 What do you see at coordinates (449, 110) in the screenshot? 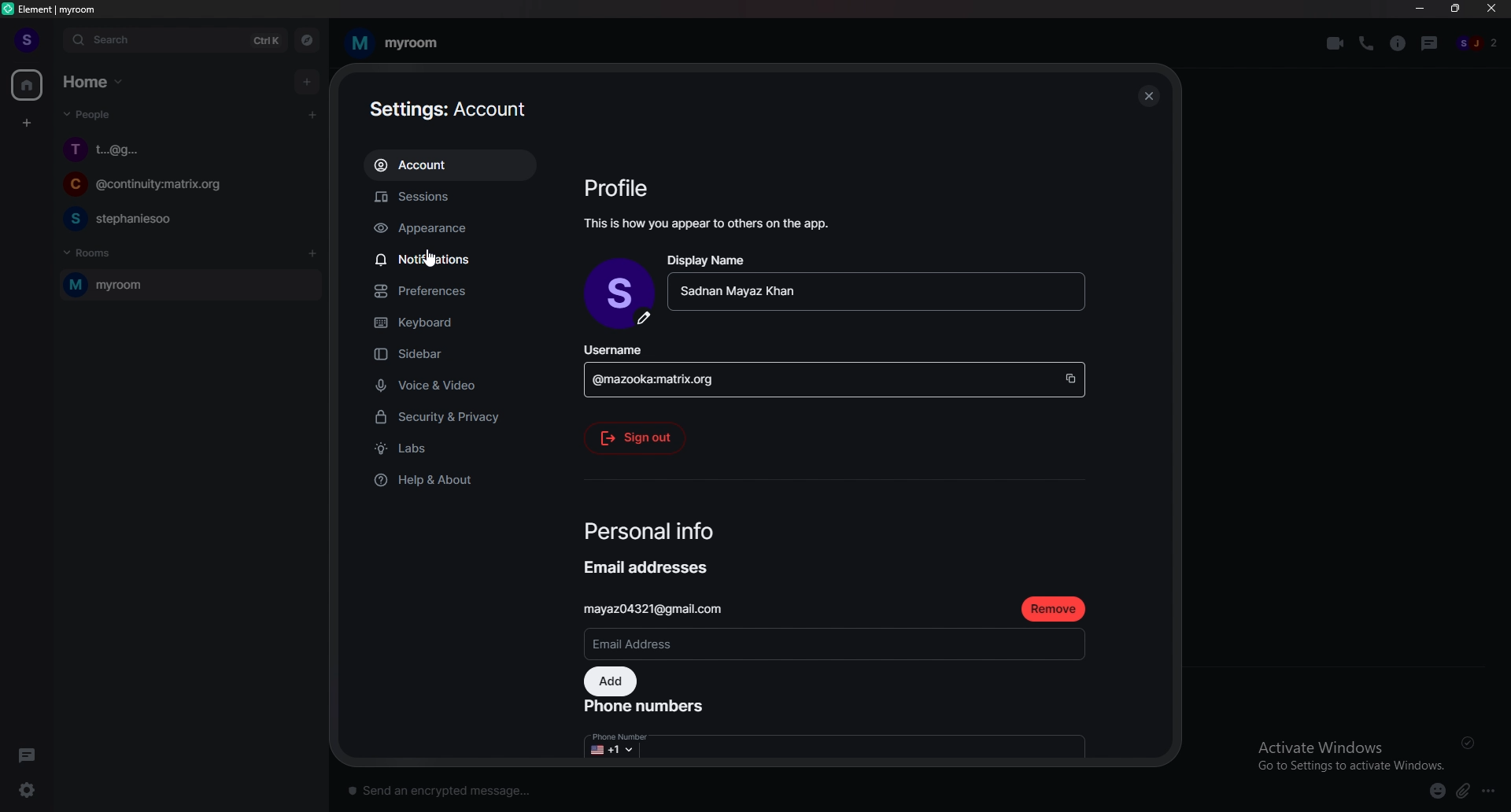
I see `settings account` at bounding box center [449, 110].